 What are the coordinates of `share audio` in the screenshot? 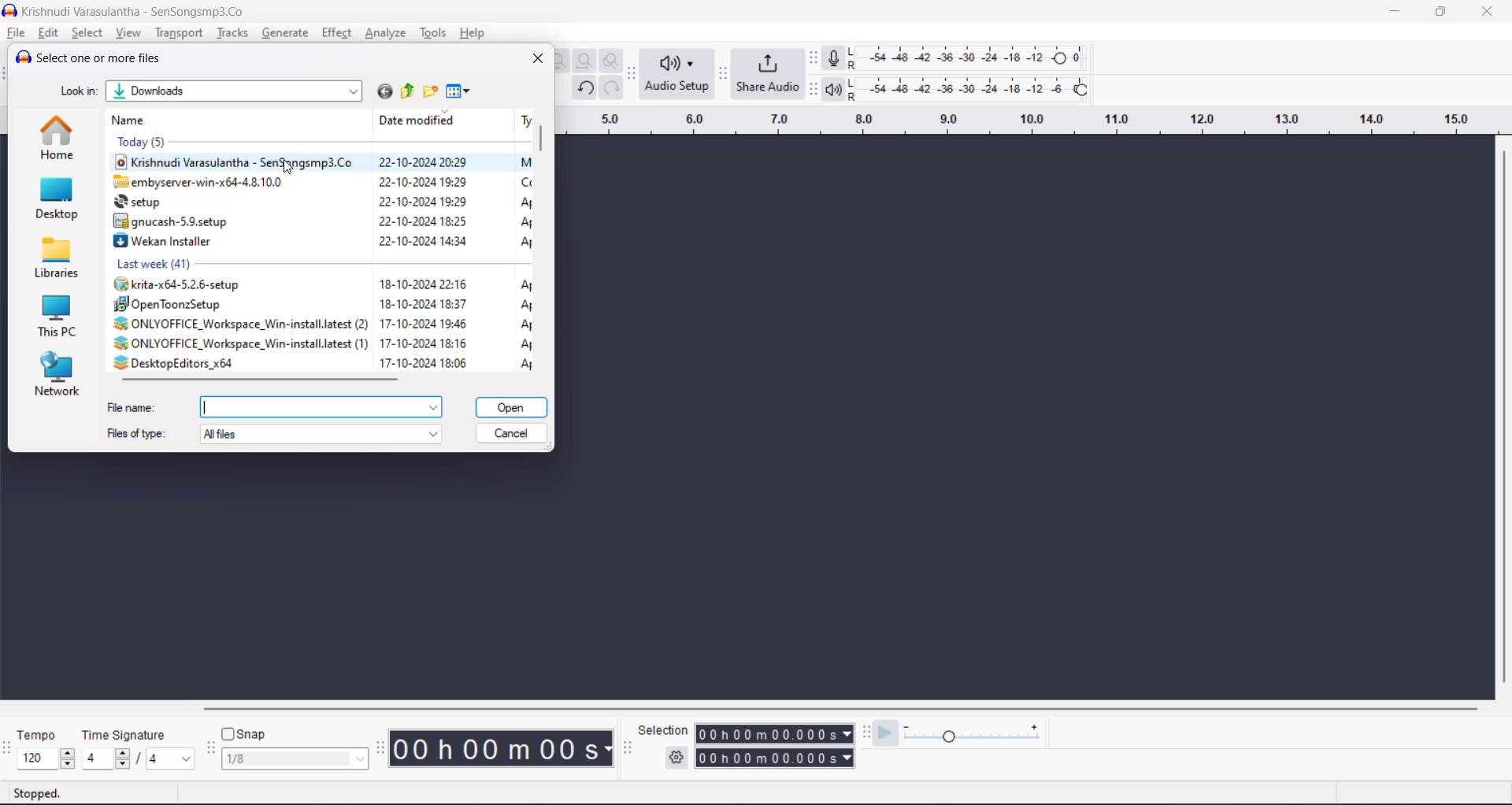 It's located at (769, 72).